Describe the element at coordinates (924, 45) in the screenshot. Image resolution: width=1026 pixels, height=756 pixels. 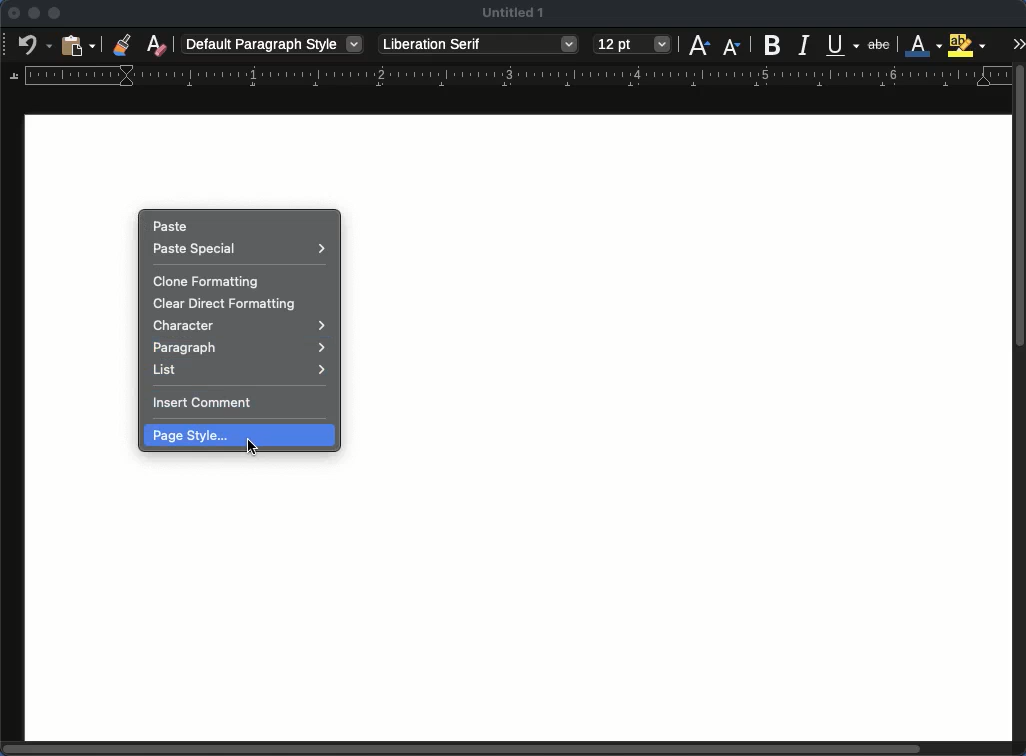
I see `text color` at that location.